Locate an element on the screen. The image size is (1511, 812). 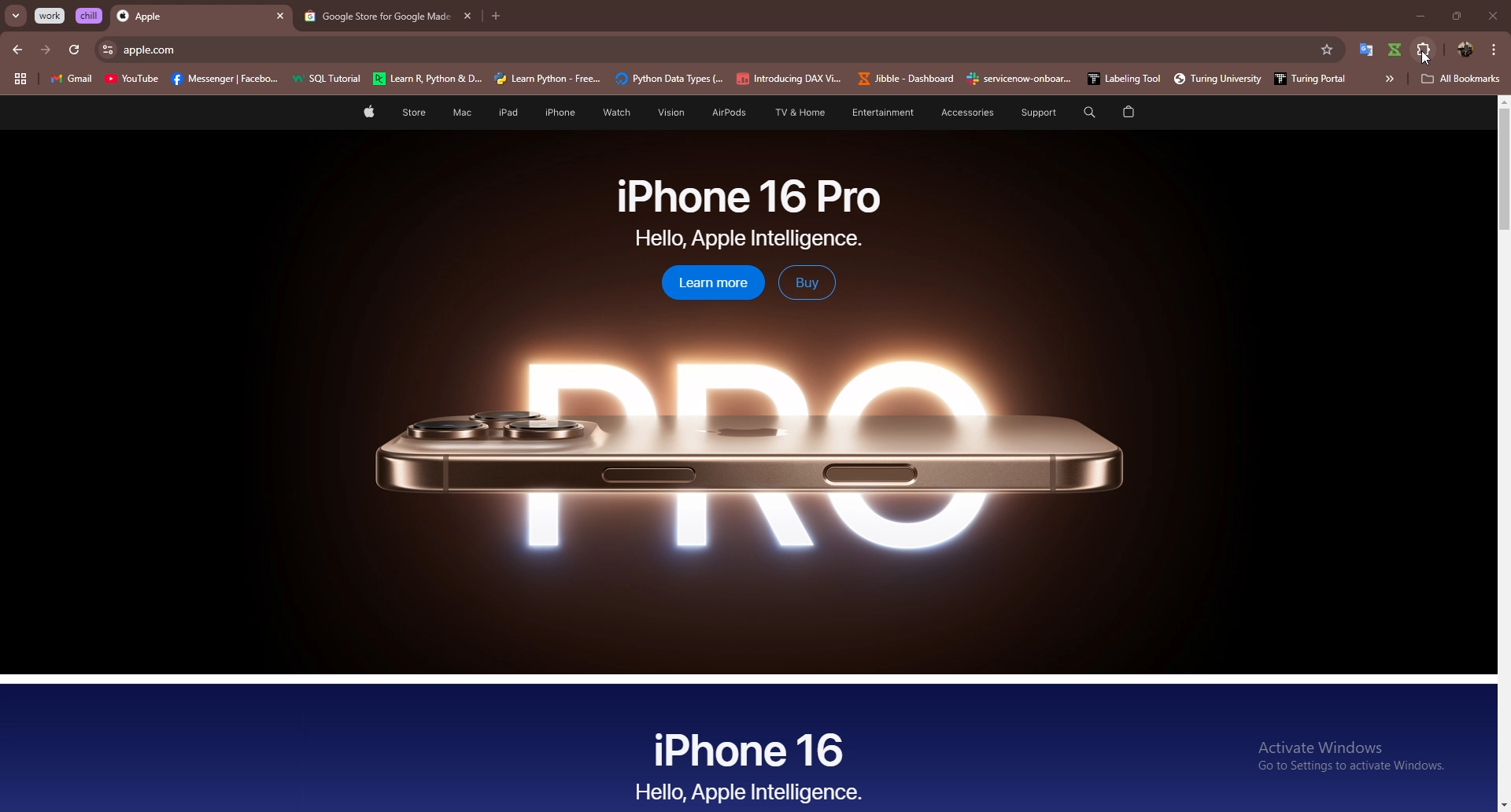
Buy is located at coordinates (807, 282).